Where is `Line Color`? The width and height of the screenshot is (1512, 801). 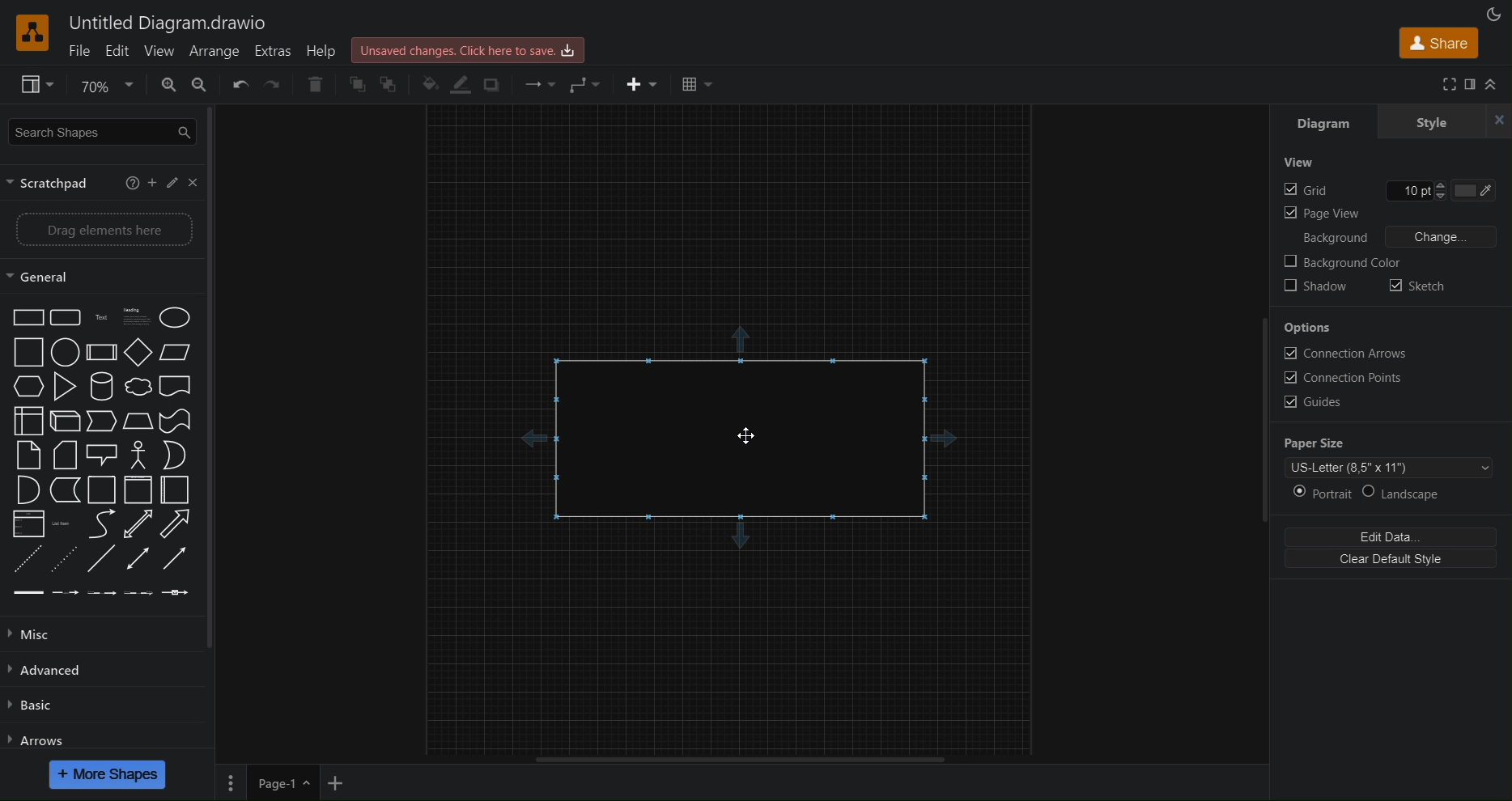 Line Color is located at coordinates (458, 85).